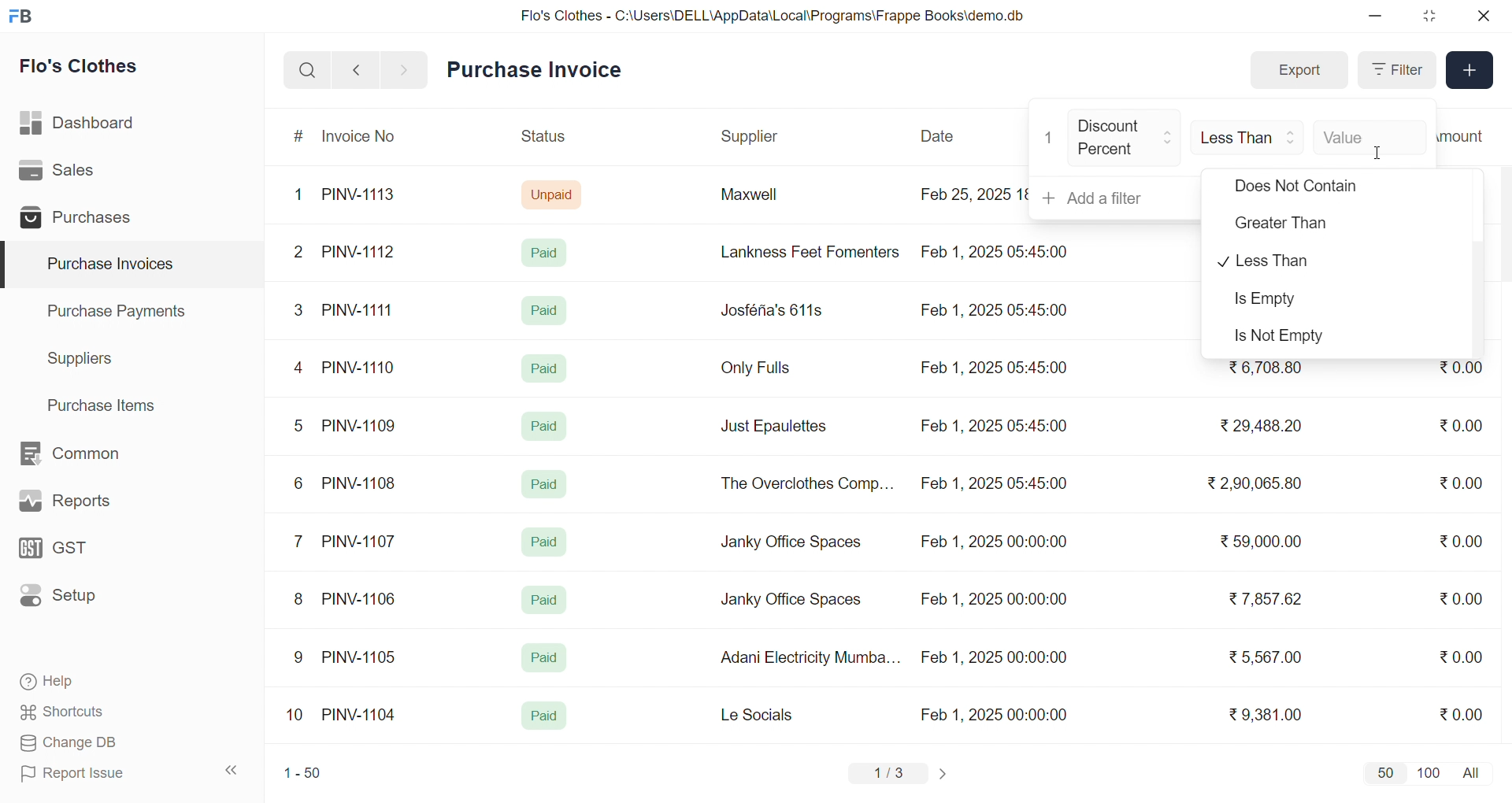 The height and width of the screenshot is (803, 1512). I want to click on PINV-1112, so click(358, 253).